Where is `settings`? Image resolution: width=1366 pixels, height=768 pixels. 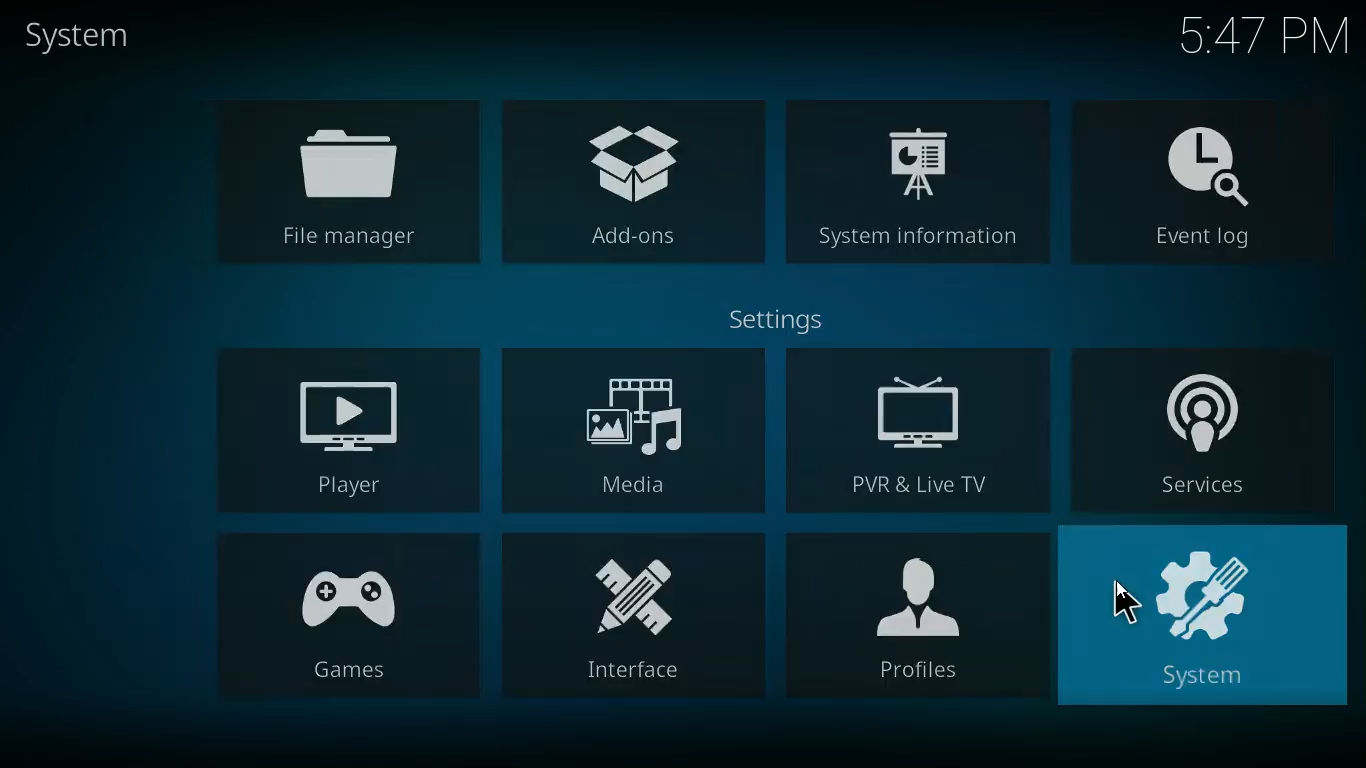 settings is located at coordinates (774, 318).